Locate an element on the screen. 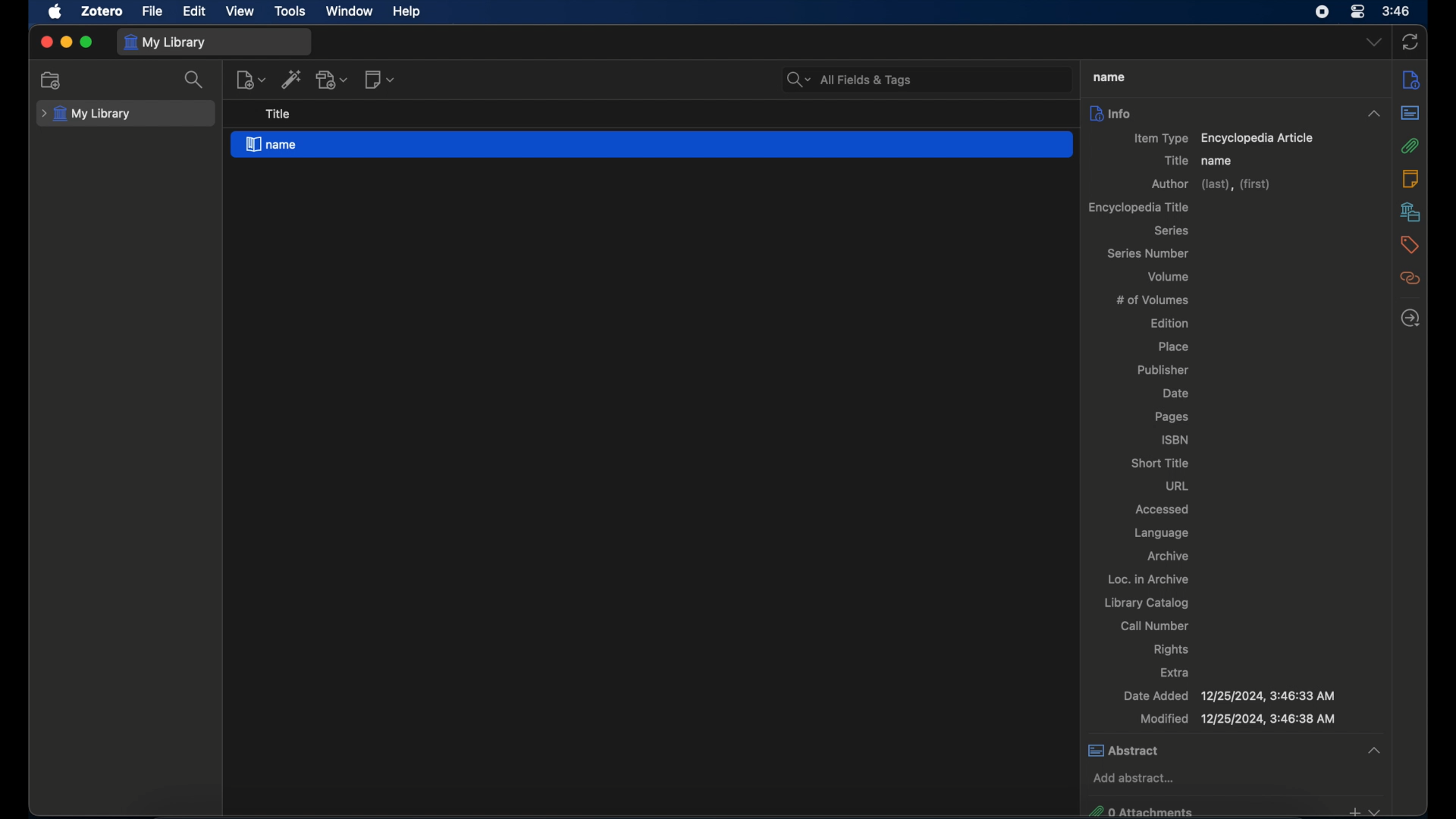 The image size is (1456, 819). series number is located at coordinates (1150, 253).